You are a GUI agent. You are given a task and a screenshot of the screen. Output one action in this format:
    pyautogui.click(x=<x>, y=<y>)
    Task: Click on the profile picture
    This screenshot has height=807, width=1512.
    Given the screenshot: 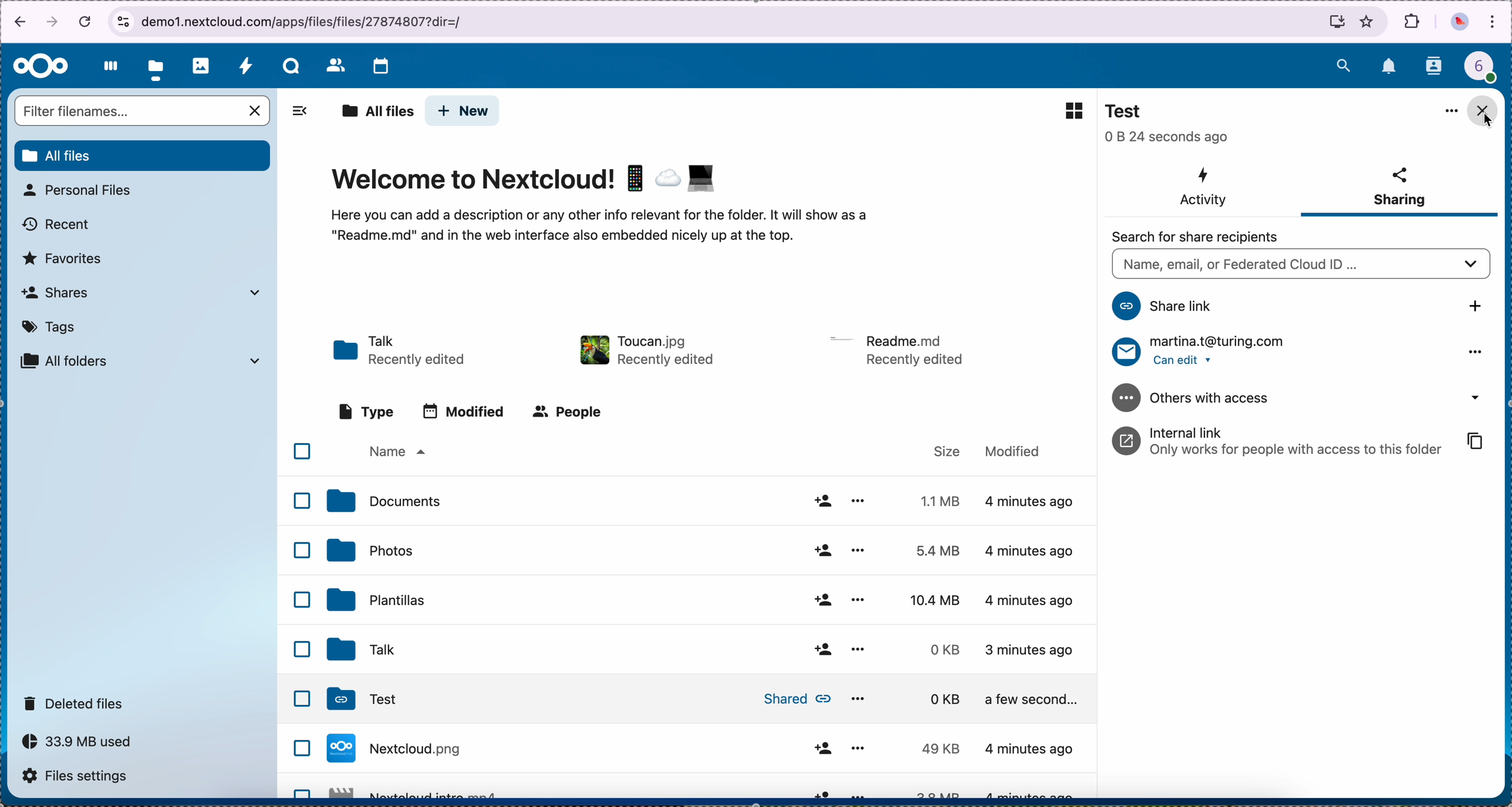 What is the action you would take?
    pyautogui.click(x=1460, y=23)
    